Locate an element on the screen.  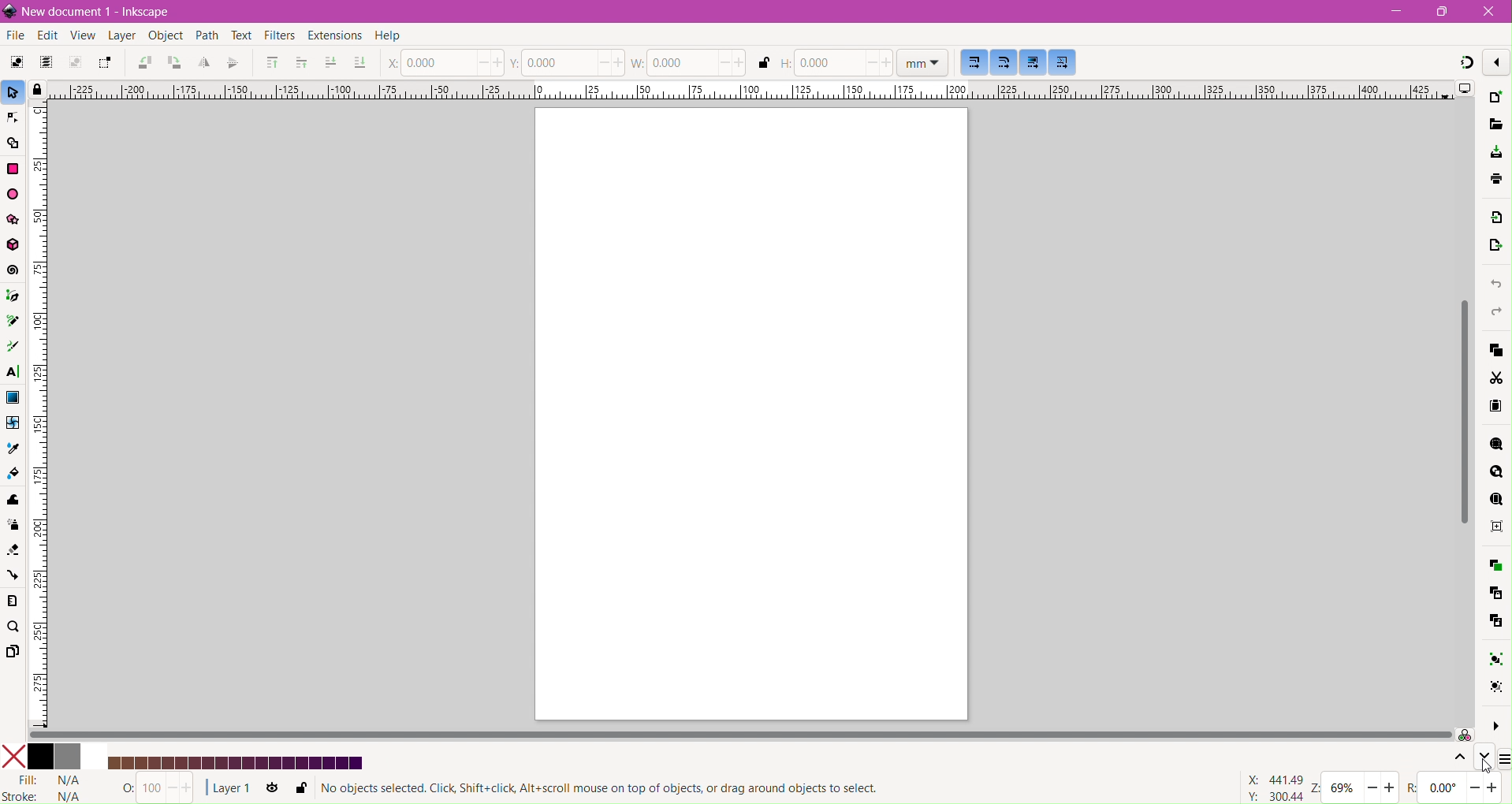
Filters is located at coordinates (280, 37).